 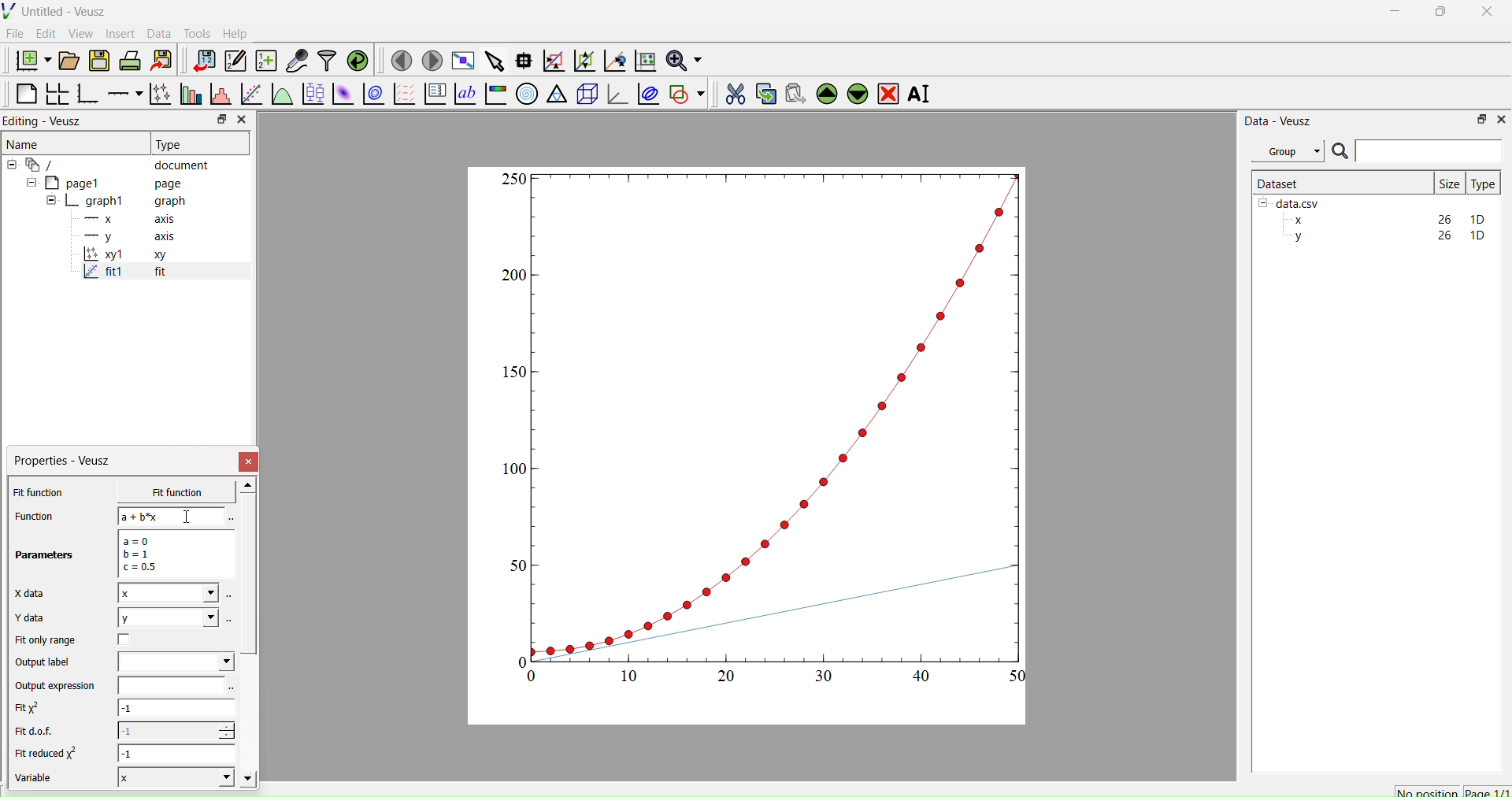 I want to click on Output label, so click(x=46, y=662).